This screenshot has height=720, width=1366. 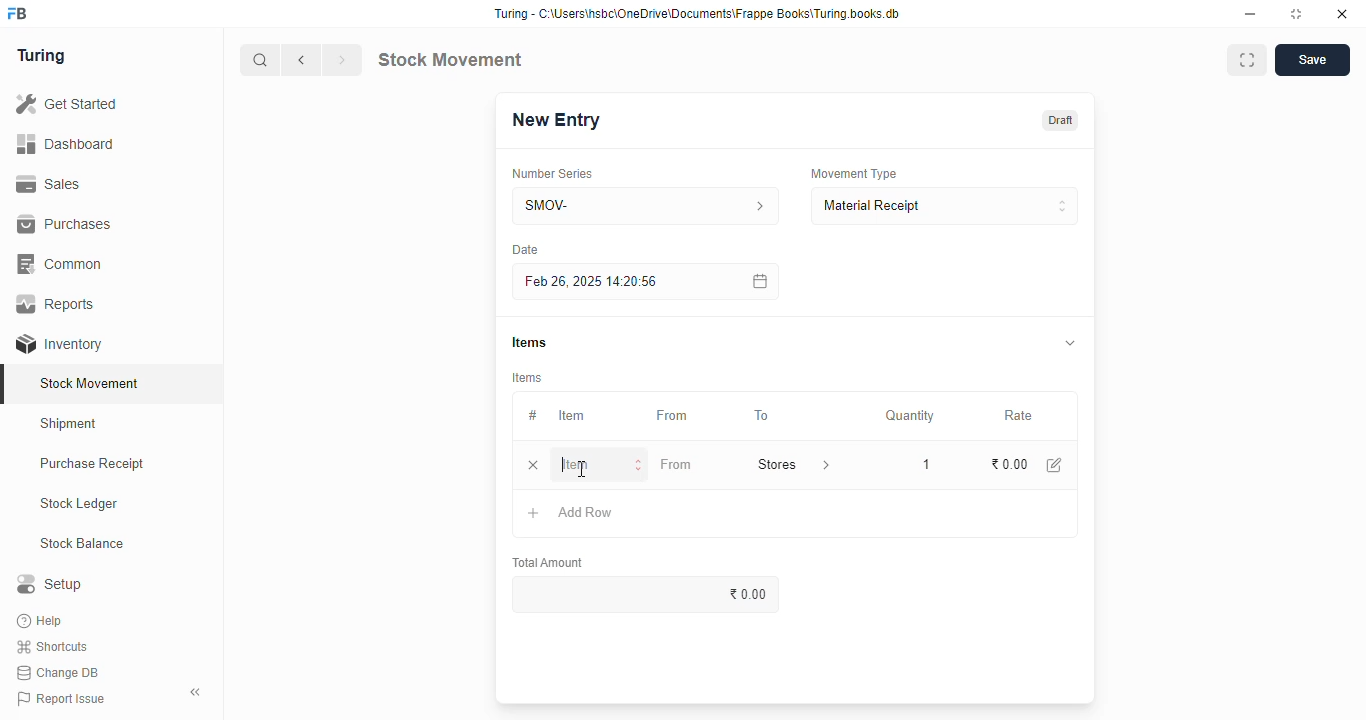 I want to click on calendar, so click(x=758, y=281).